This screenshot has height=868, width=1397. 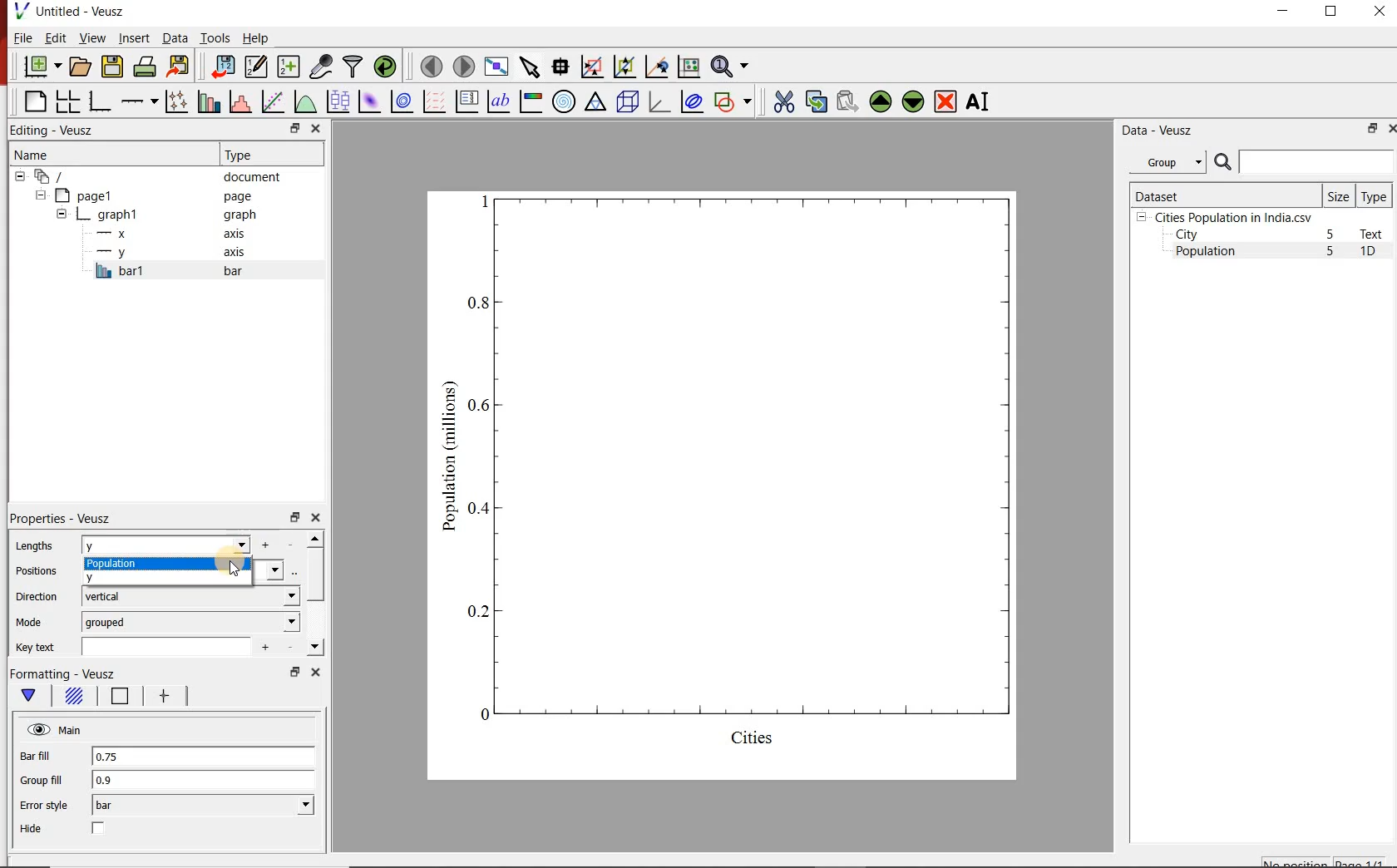 I want to click on 1D, so click(x=1375, y=253).